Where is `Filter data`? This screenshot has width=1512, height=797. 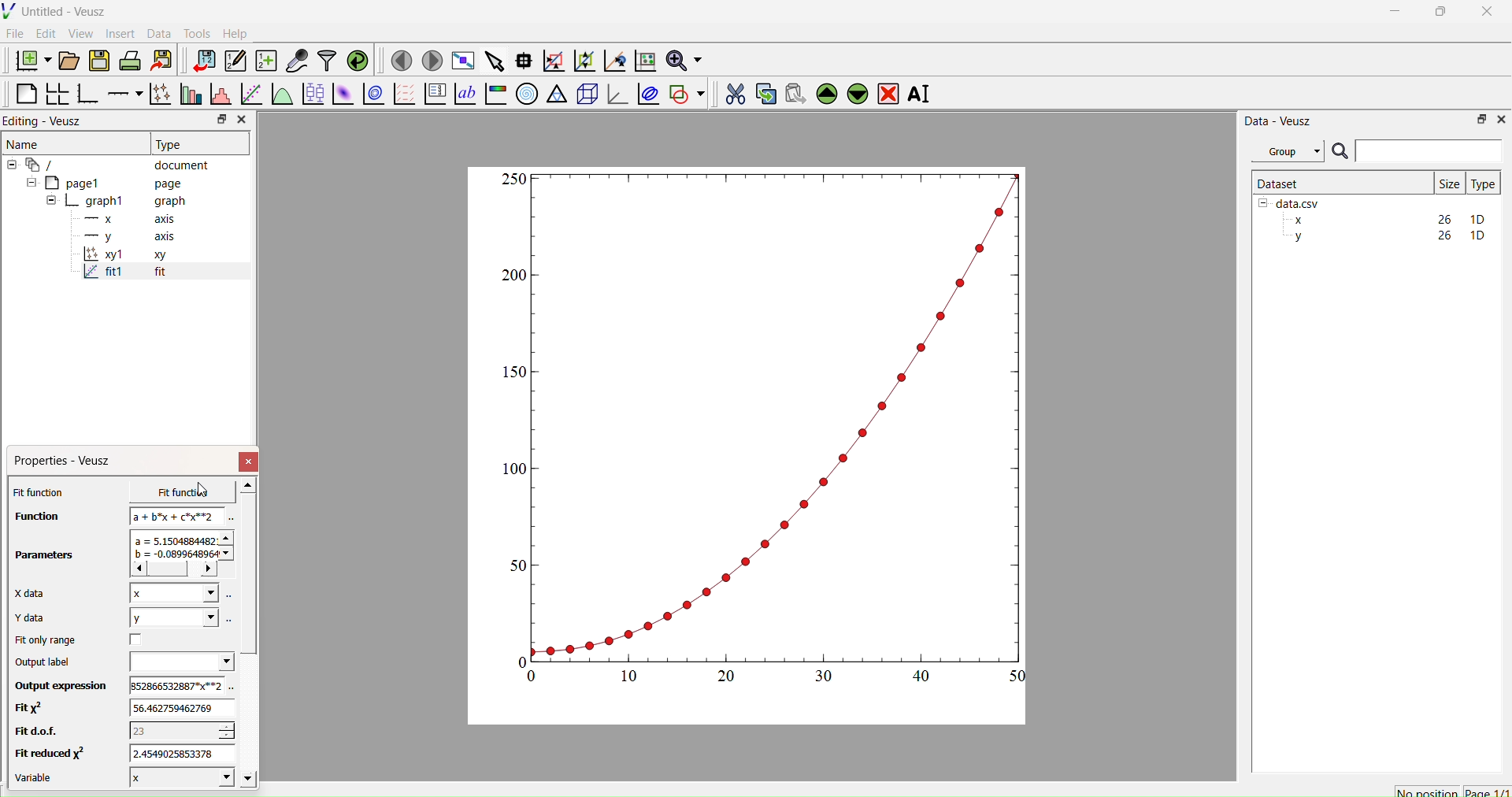 Filter data is located at coordinates (326, 60).